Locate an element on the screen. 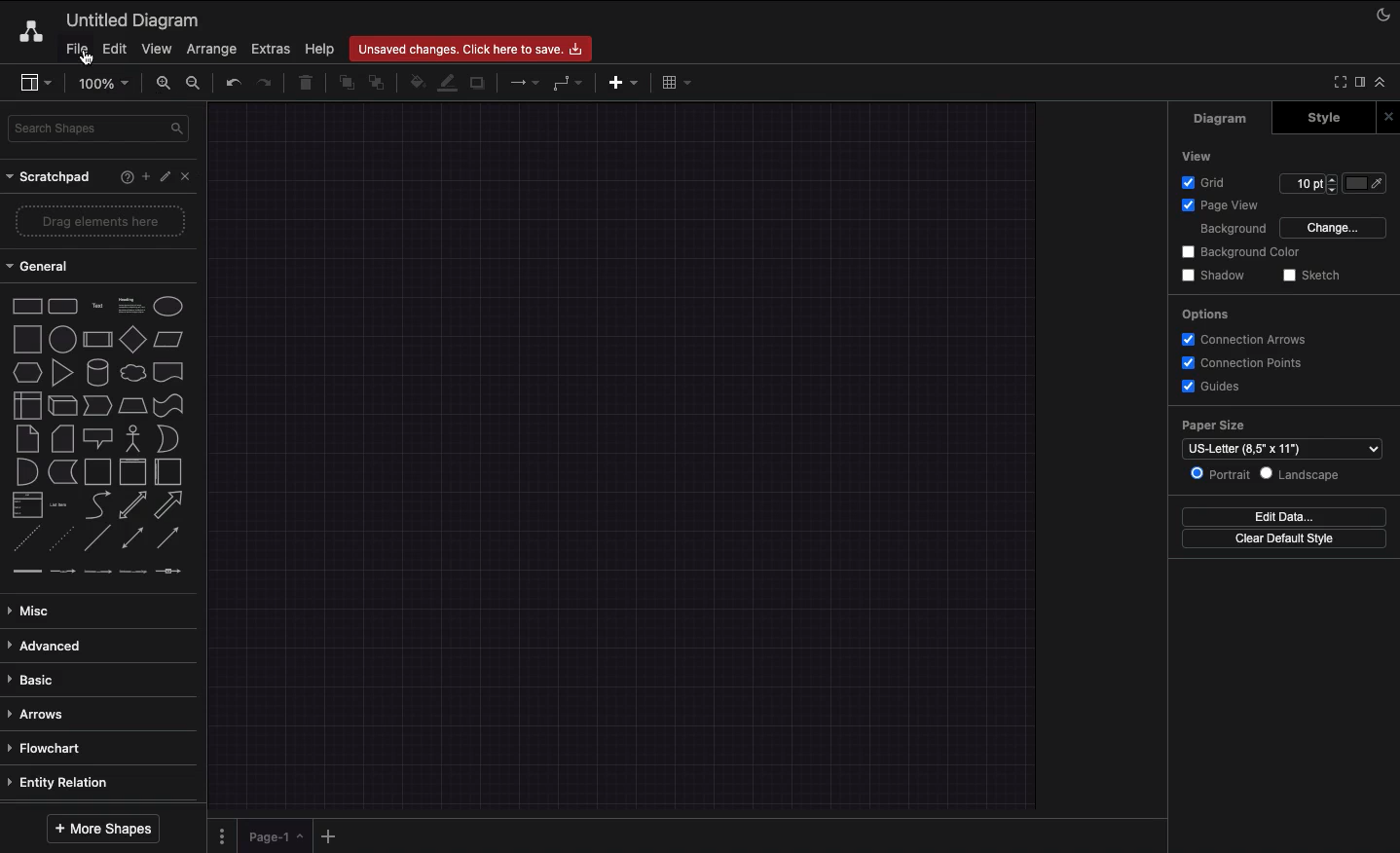 The width and height of the screenshot is (1400, 853). More shapes is located at coordinates (101, 829).